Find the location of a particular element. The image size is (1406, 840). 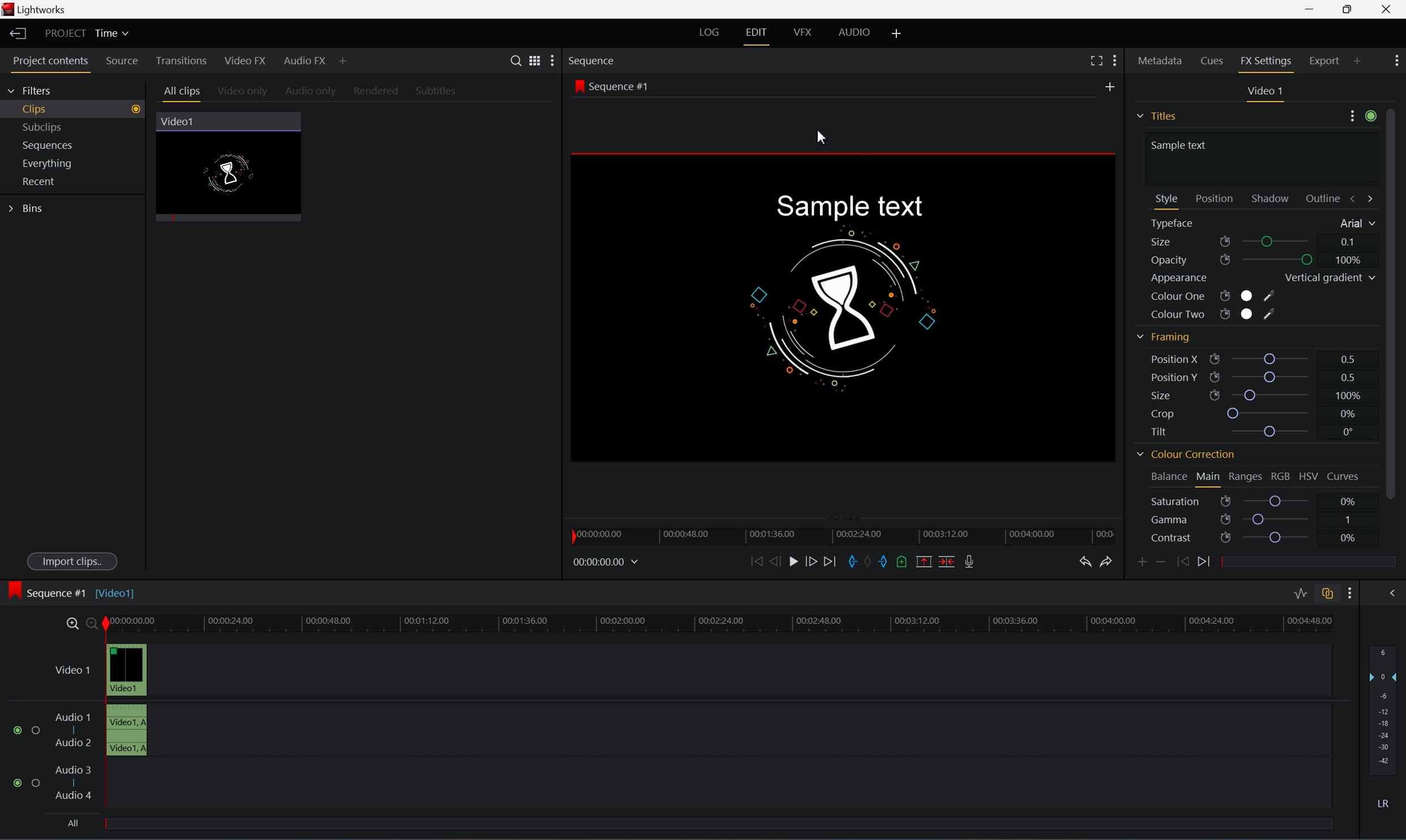

mute is located at coordinates (1387, 803).